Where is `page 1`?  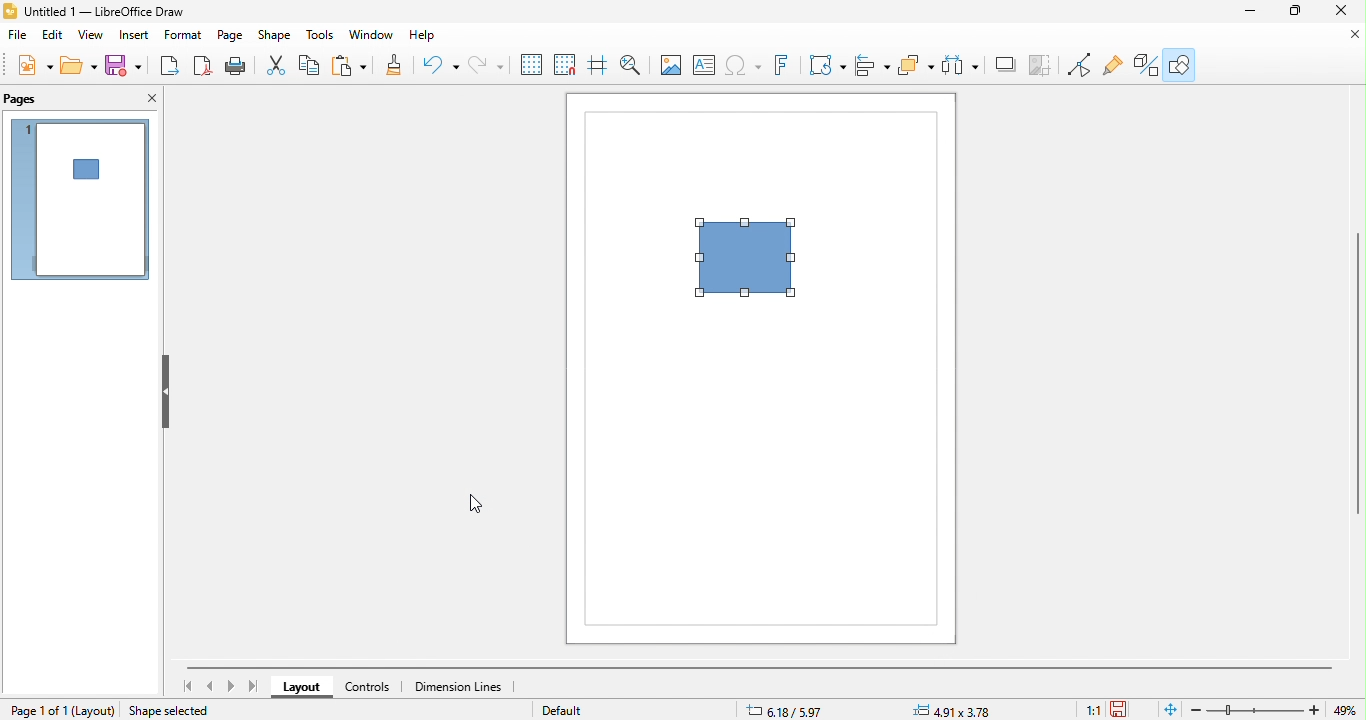 page 1 is located at coordinates (80, 199).